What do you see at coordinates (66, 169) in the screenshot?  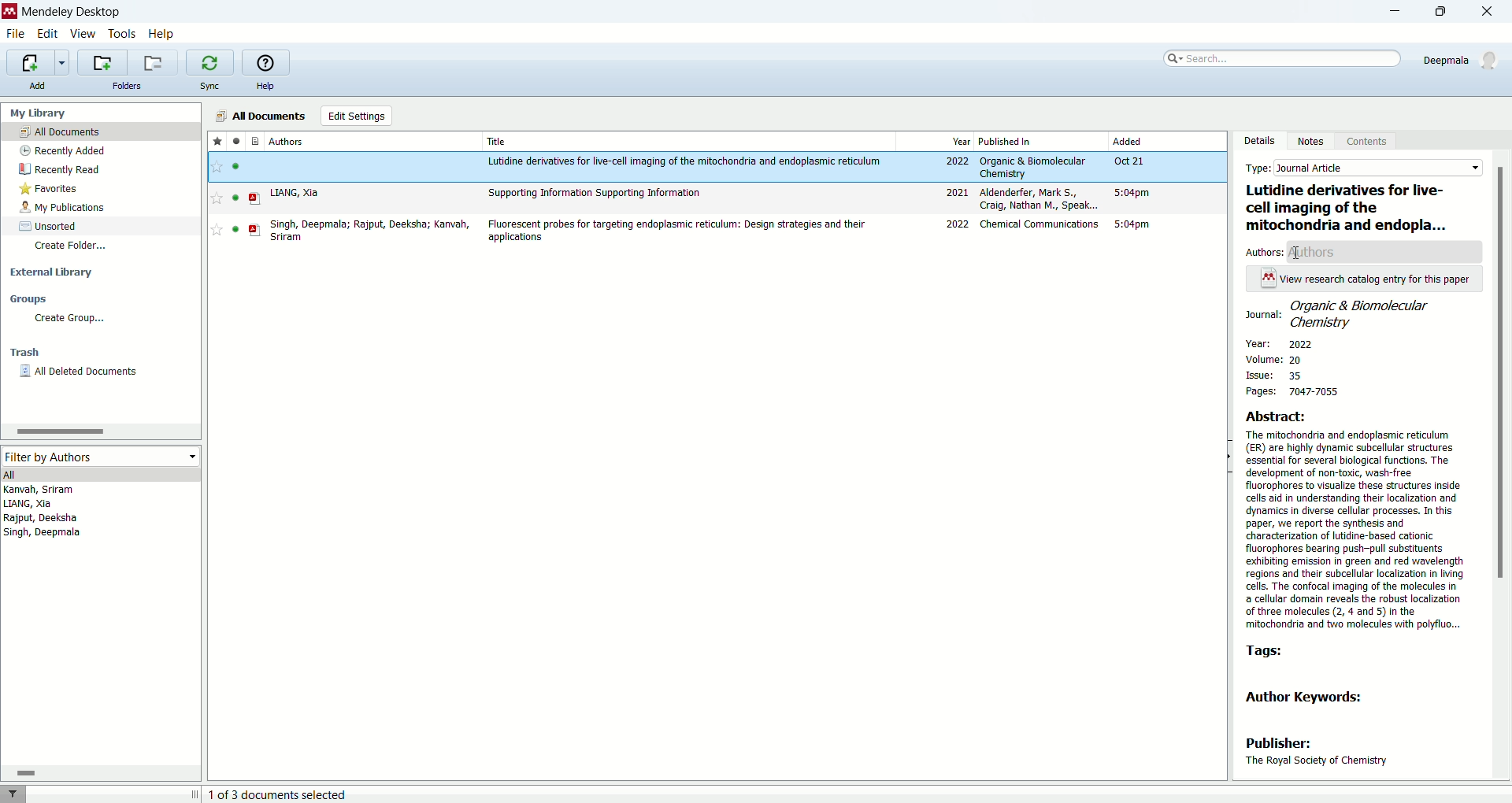 I see `recently read` at bounding box center [66, 169].